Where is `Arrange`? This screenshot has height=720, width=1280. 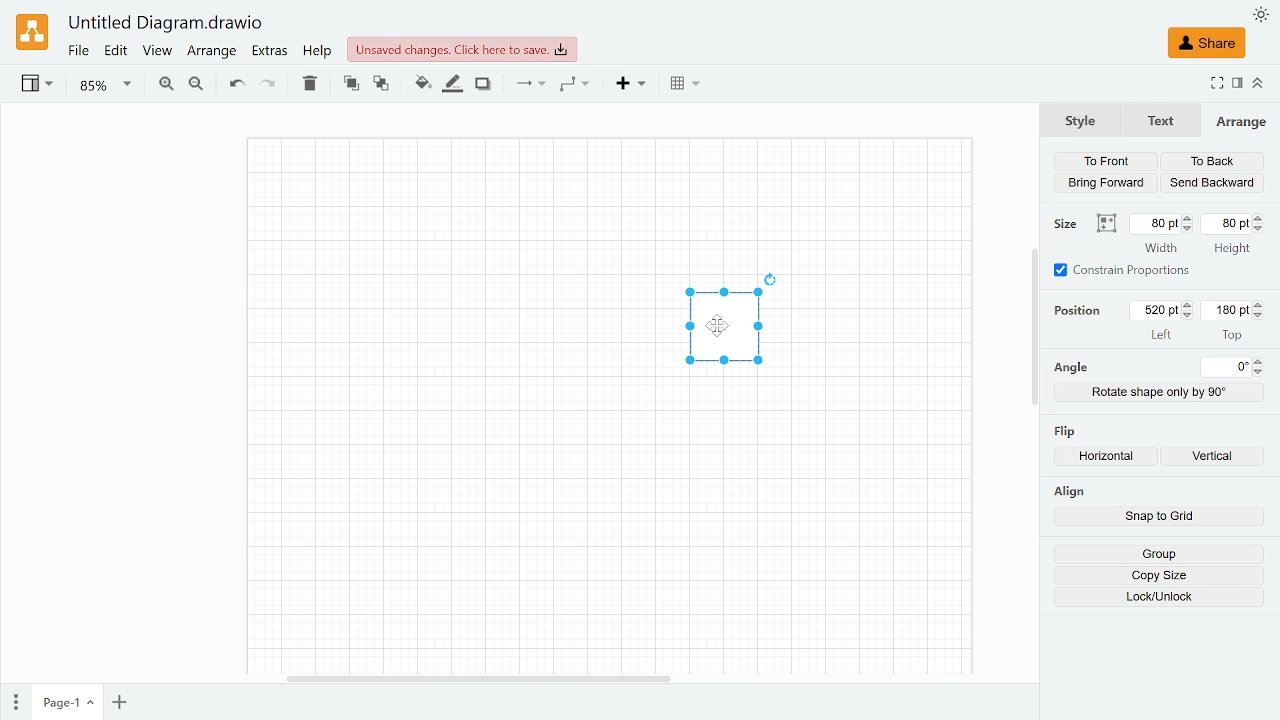
Arrange is located at coordinates (211, 52).